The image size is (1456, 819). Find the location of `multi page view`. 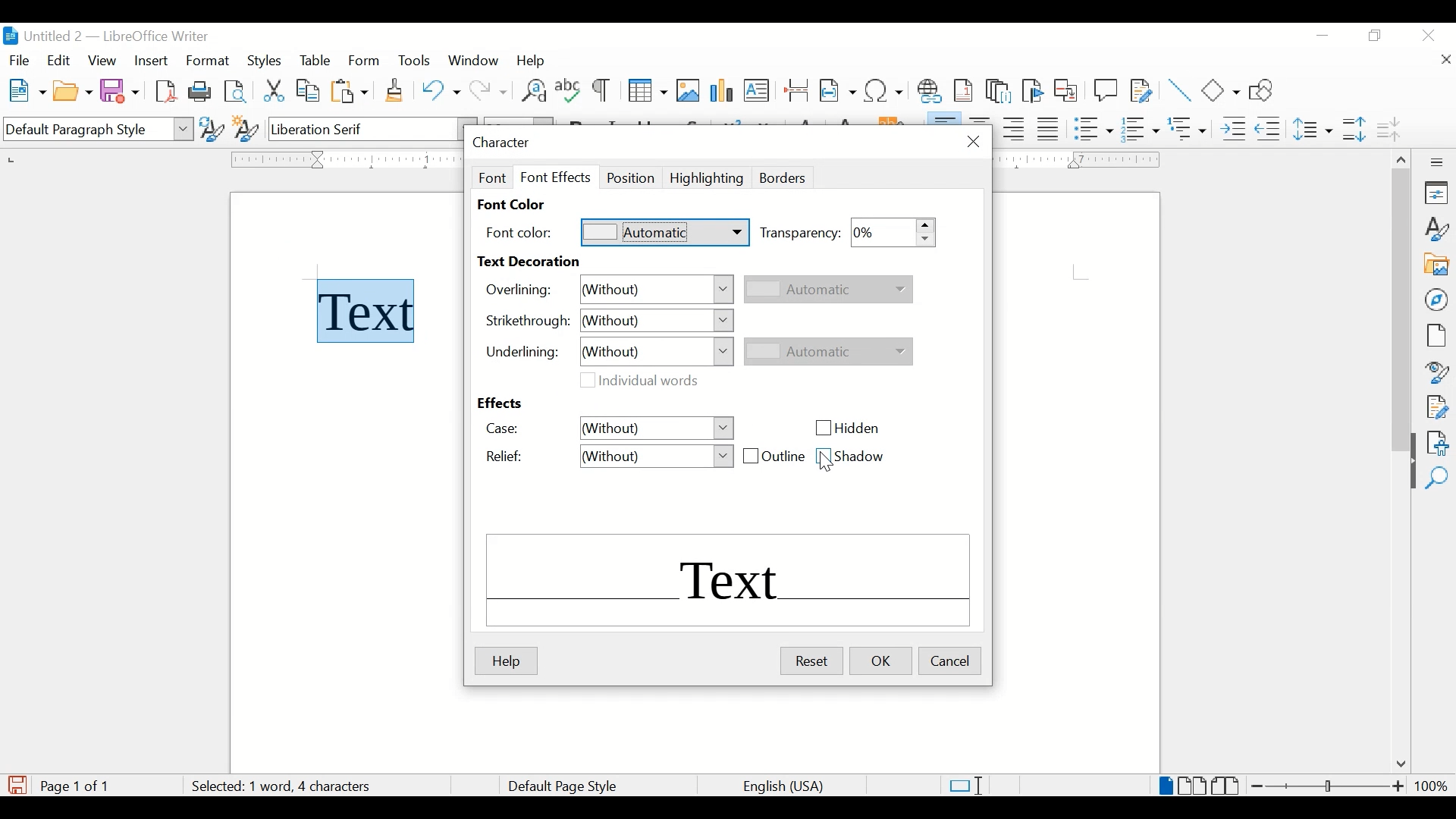

multi page view is located at coordinates (1194, 786).